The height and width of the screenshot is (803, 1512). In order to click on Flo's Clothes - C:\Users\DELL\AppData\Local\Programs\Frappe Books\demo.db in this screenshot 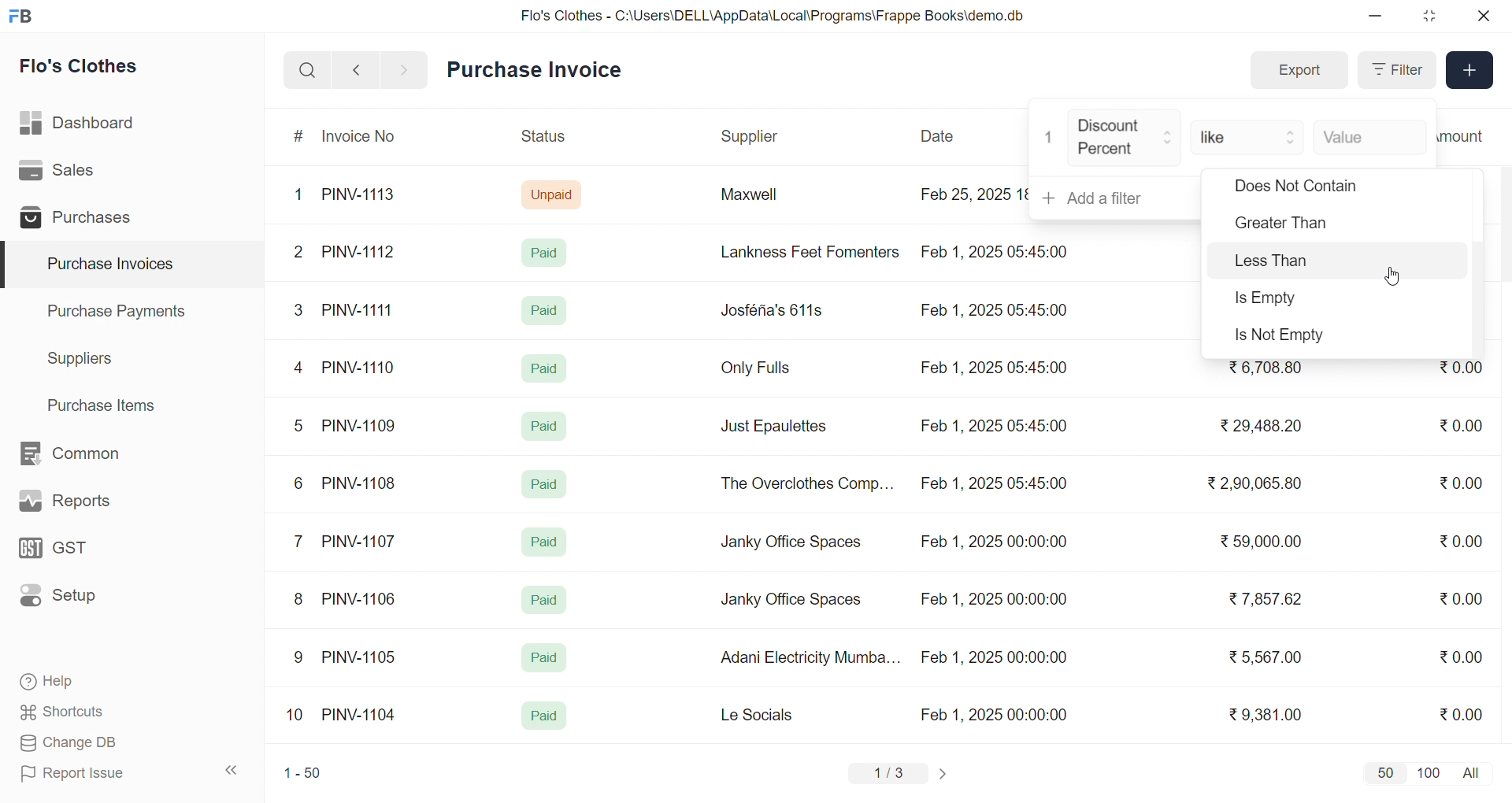, I will do `click(773, 16)`.